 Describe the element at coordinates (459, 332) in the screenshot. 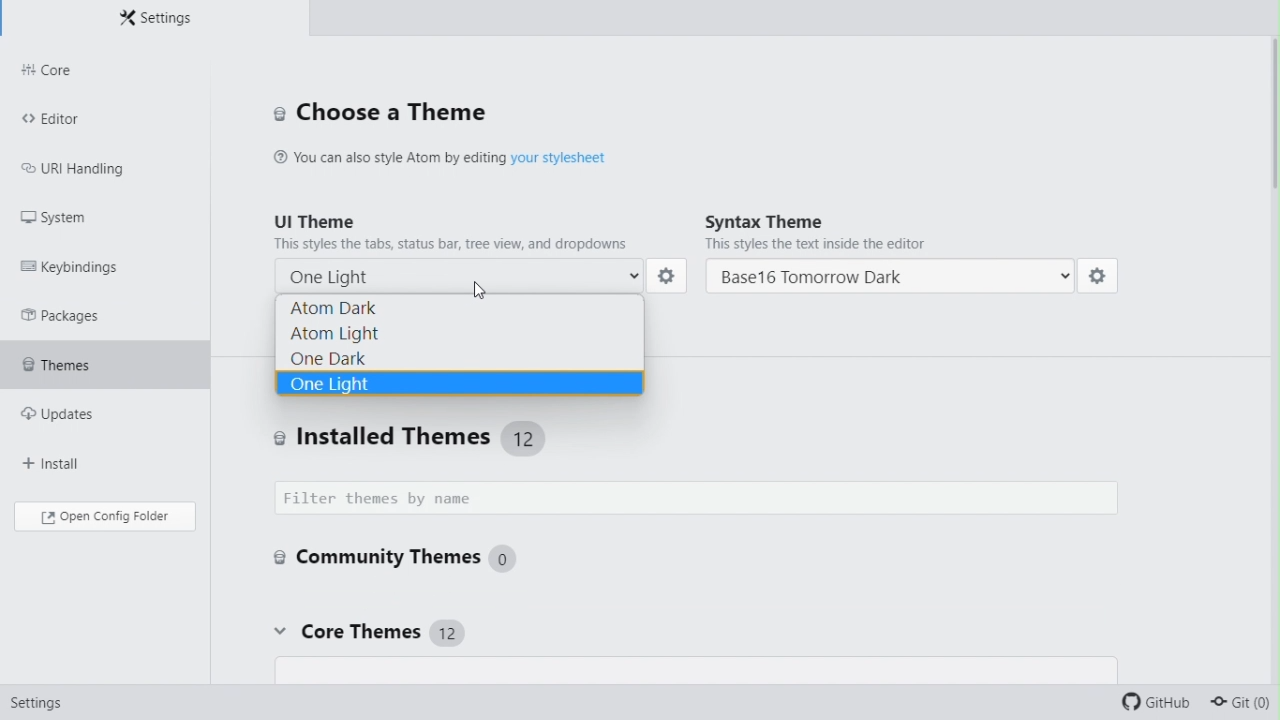

I see `atom Light` at that location.